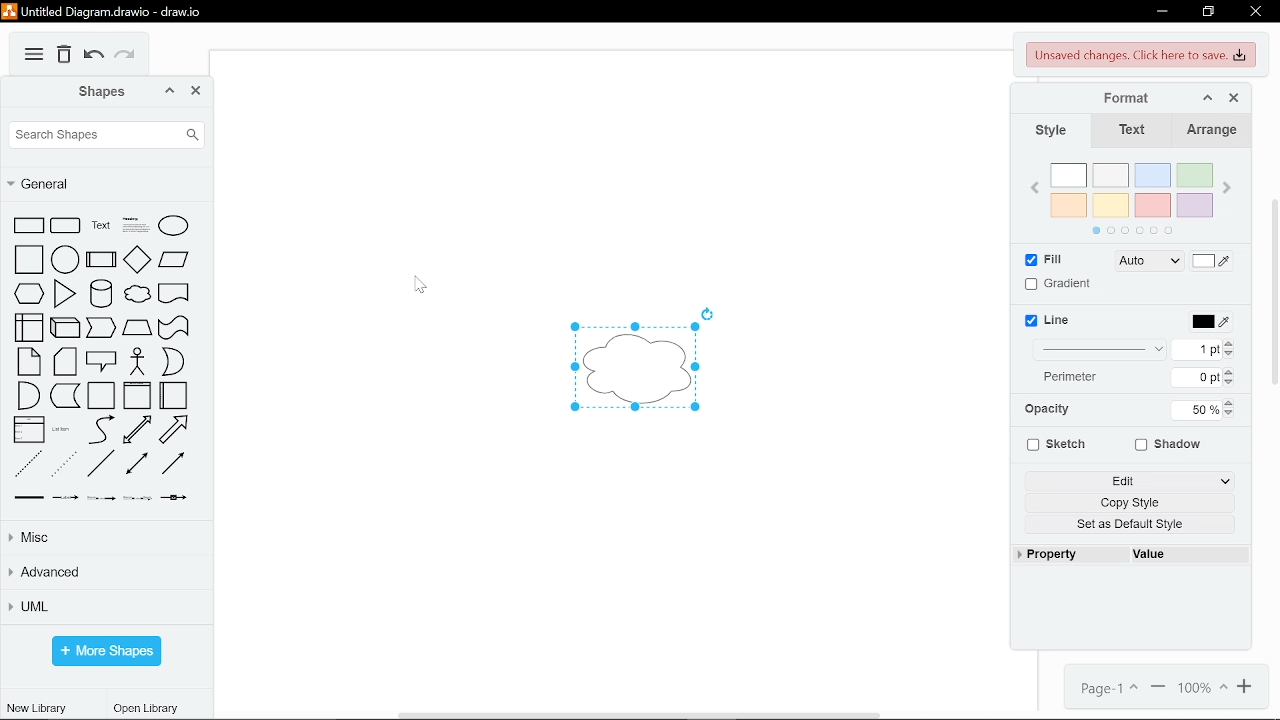 The width and height of the screenshot is (1280, 720). I want to click on card, so click(64, 362).